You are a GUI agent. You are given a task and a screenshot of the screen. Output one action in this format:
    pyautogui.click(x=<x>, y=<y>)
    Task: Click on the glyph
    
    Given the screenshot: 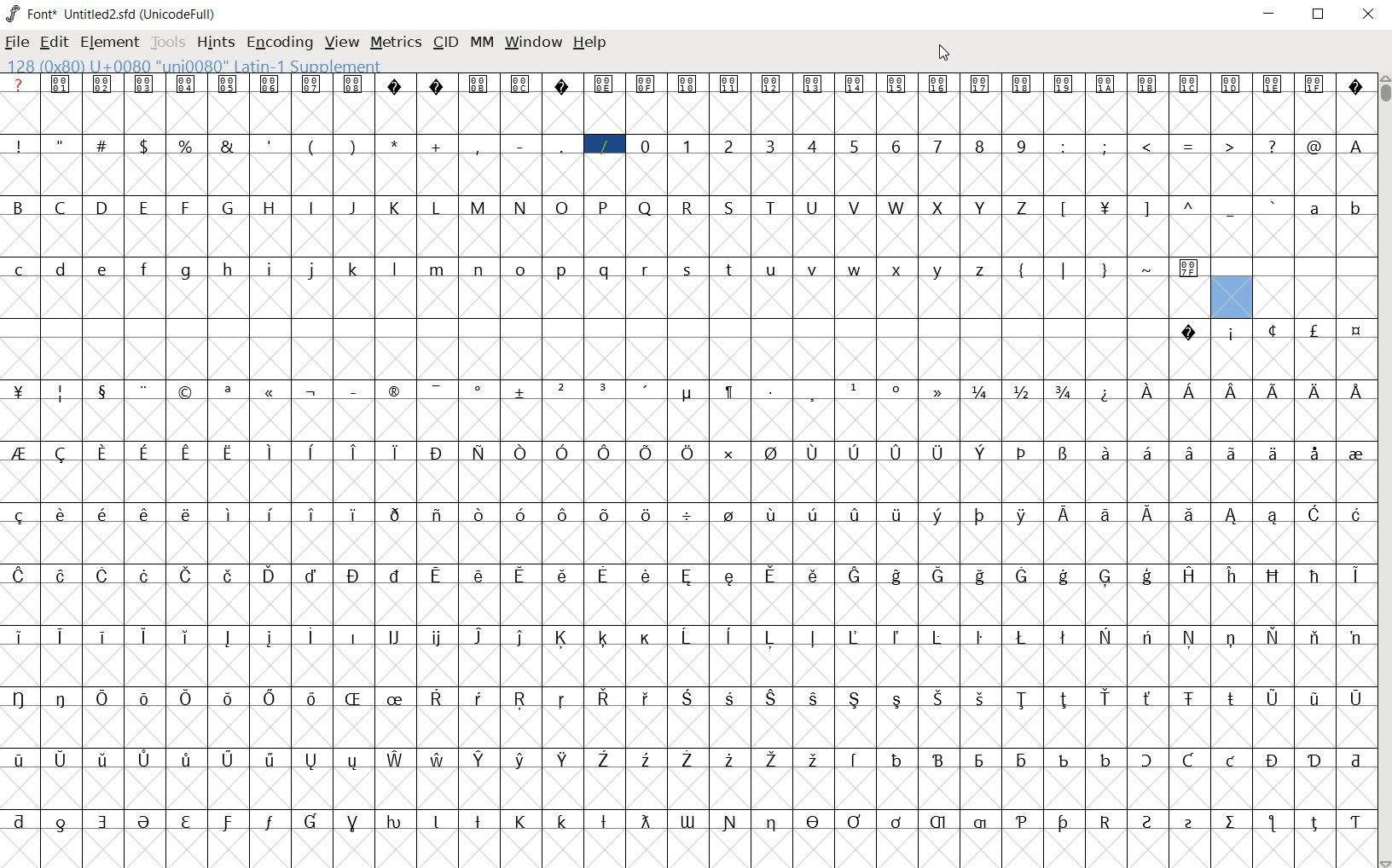 What is the action you would take?
    pyautogui.click(x=19, y=760)
    